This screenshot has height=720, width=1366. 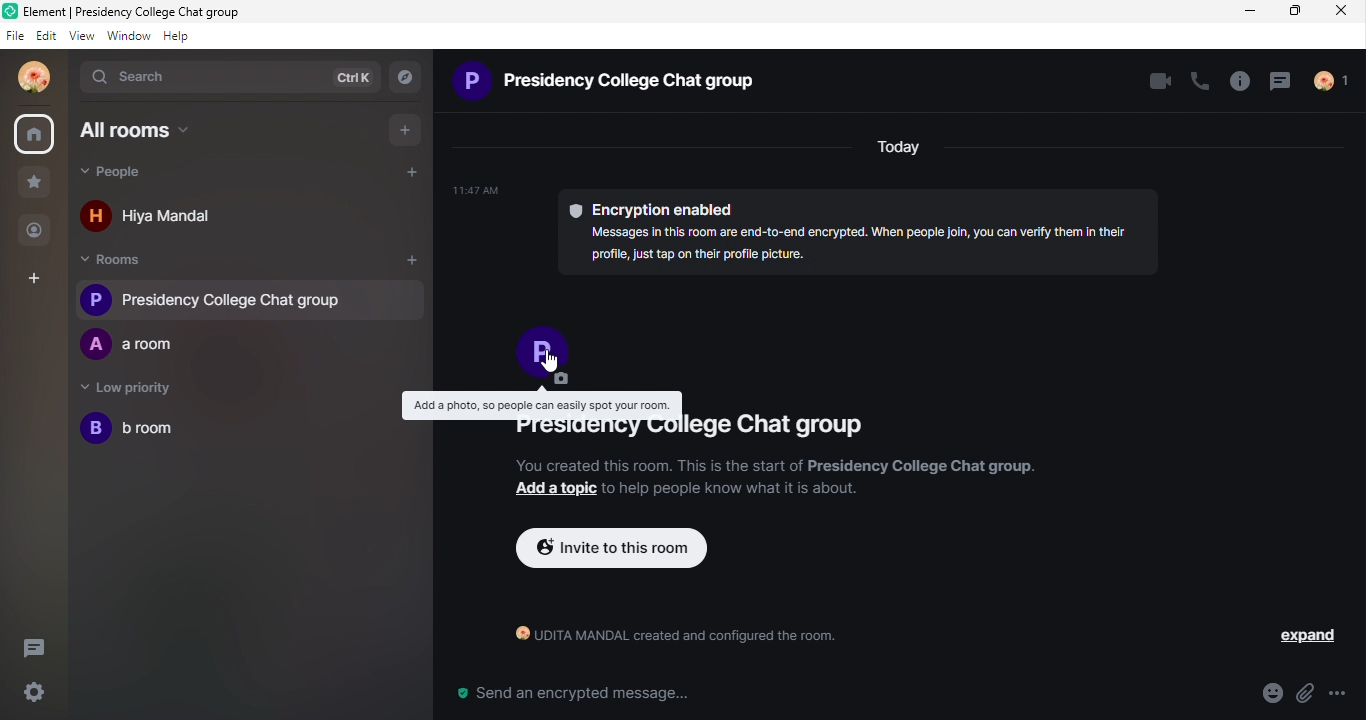 What do you see at coordinates (164, 213) in the screenshot?
I see `hiya mandal` at bounding box center [164, 213].